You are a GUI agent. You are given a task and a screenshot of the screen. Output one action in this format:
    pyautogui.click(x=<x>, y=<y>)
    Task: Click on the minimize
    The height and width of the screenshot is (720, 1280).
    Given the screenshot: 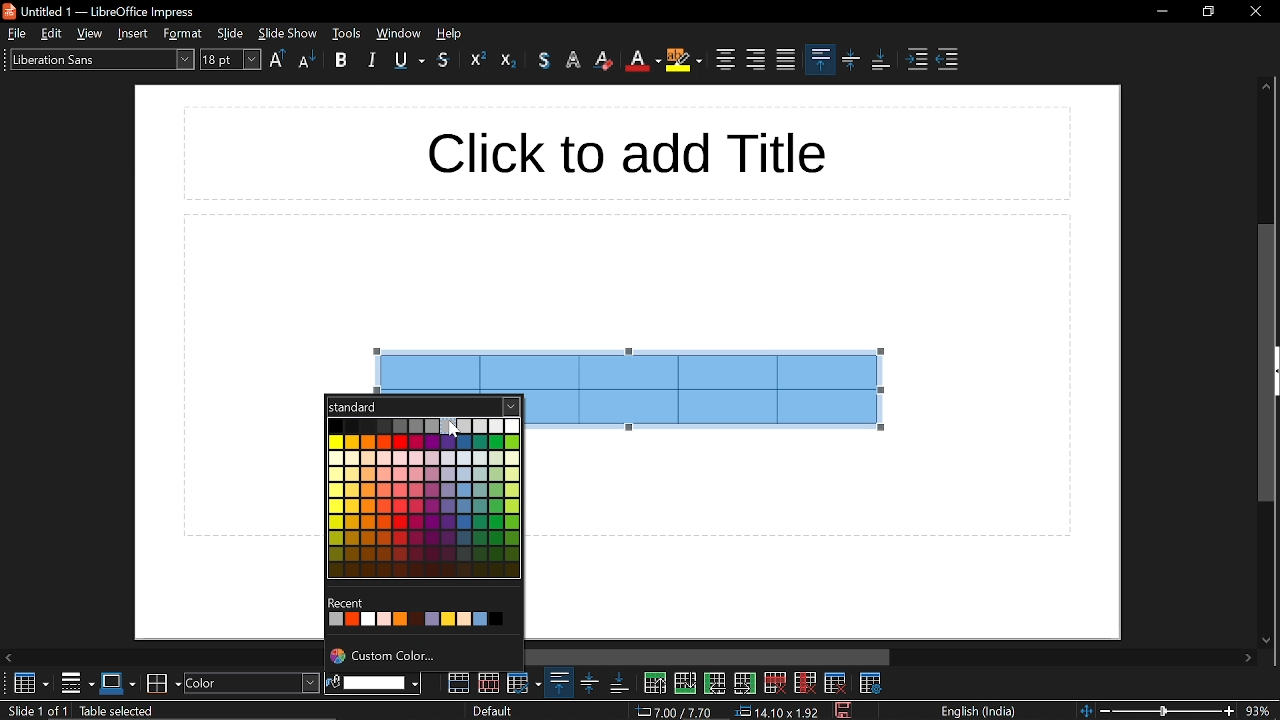 What is the action you would take?
    pyautogui.click(x=1162, y=12)
    